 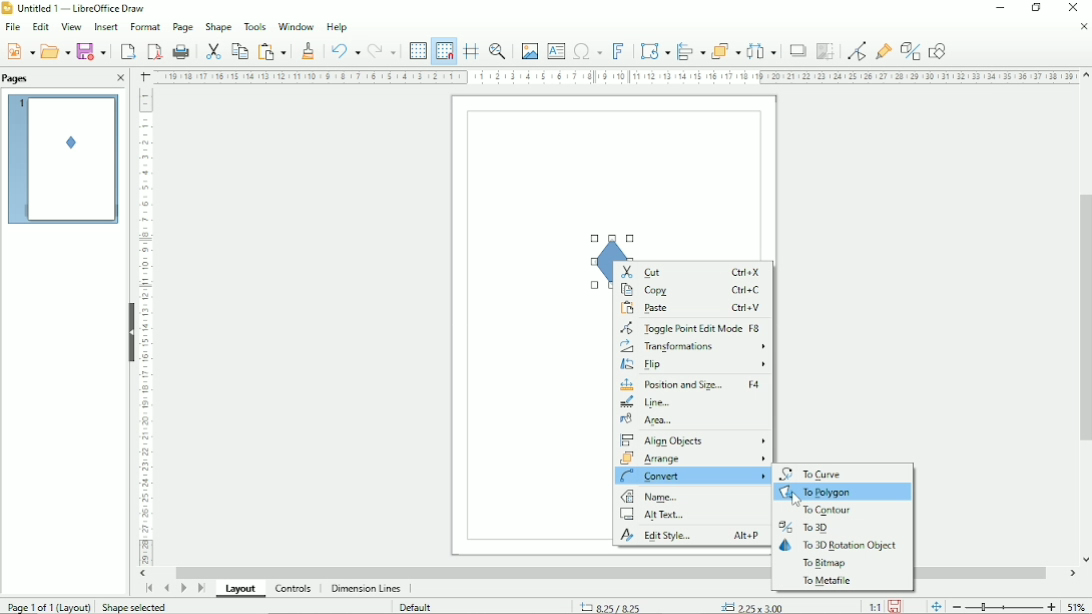 What do you see at coordinates (218, 25) in the screenshot?
I see `Shape` at bounding box center [218, 25].